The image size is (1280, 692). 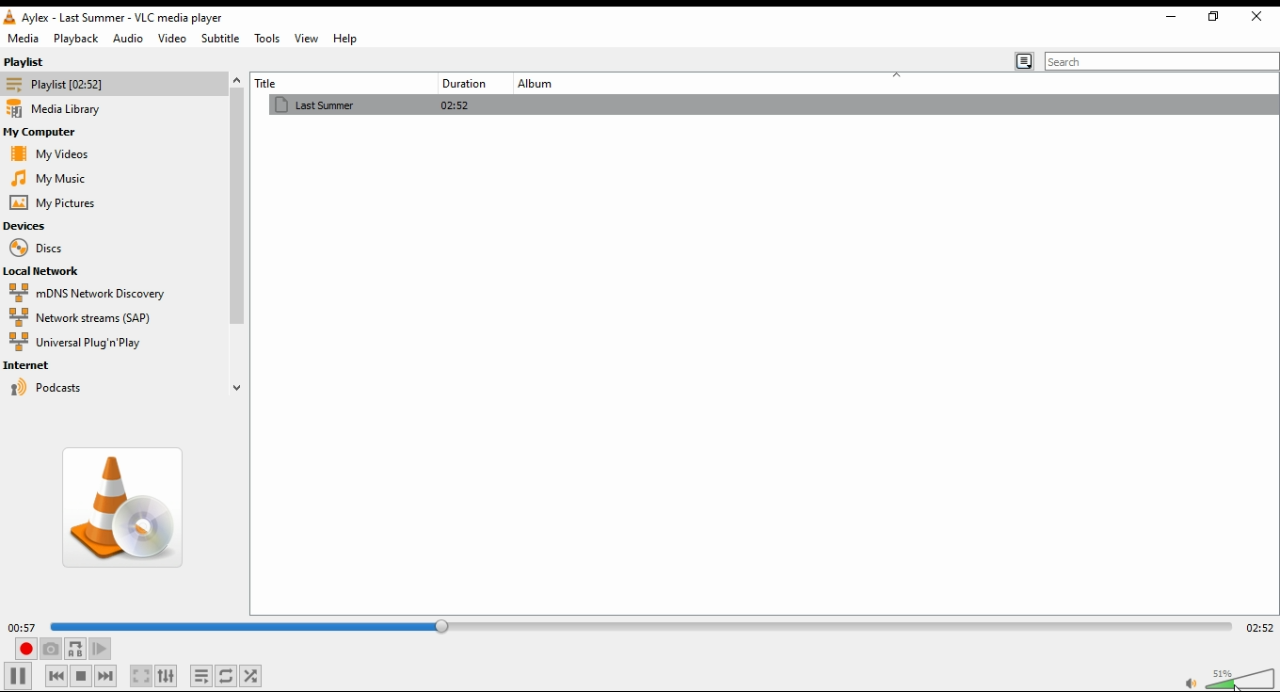 What do you see at coordinates (83, 344) in the screenshot?
I see `universal plug 'n play` at bounding box center [83, 344].